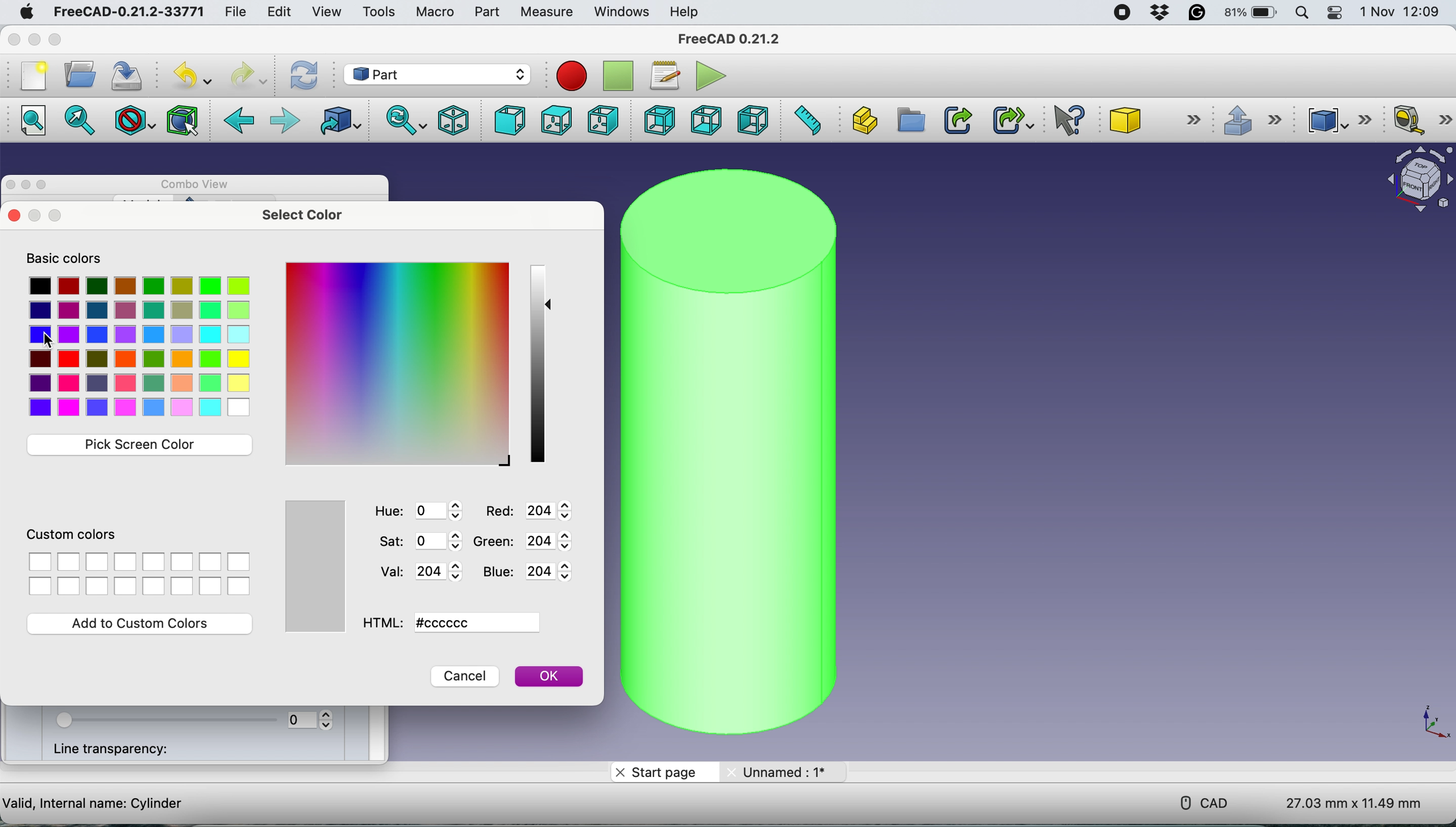  Describe the element at coordinates (343, 122) in the screenshot. I see `go to linked object` at that location.